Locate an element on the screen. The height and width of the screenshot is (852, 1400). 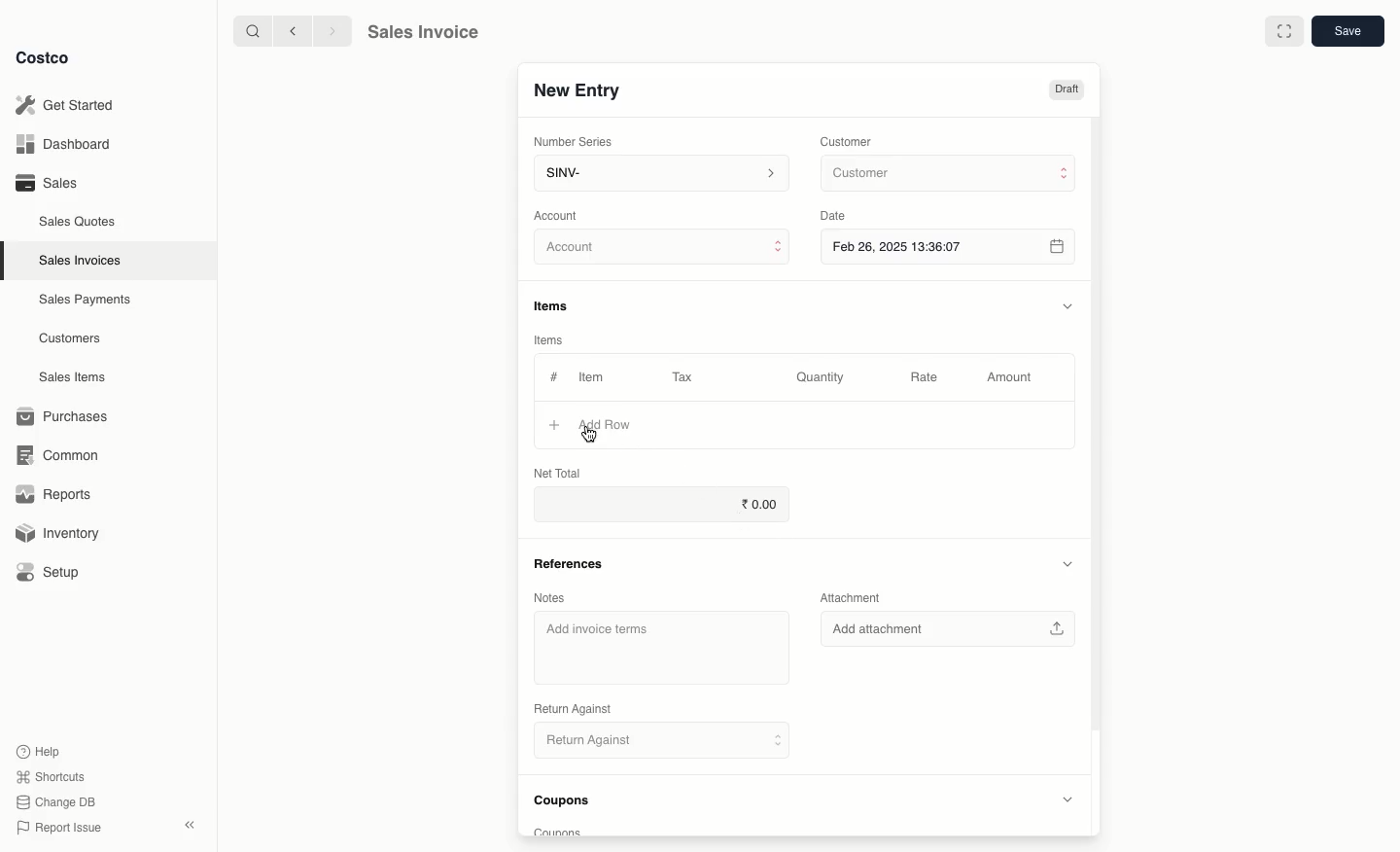
Full width toggle is located at coordinates (1282, 32).